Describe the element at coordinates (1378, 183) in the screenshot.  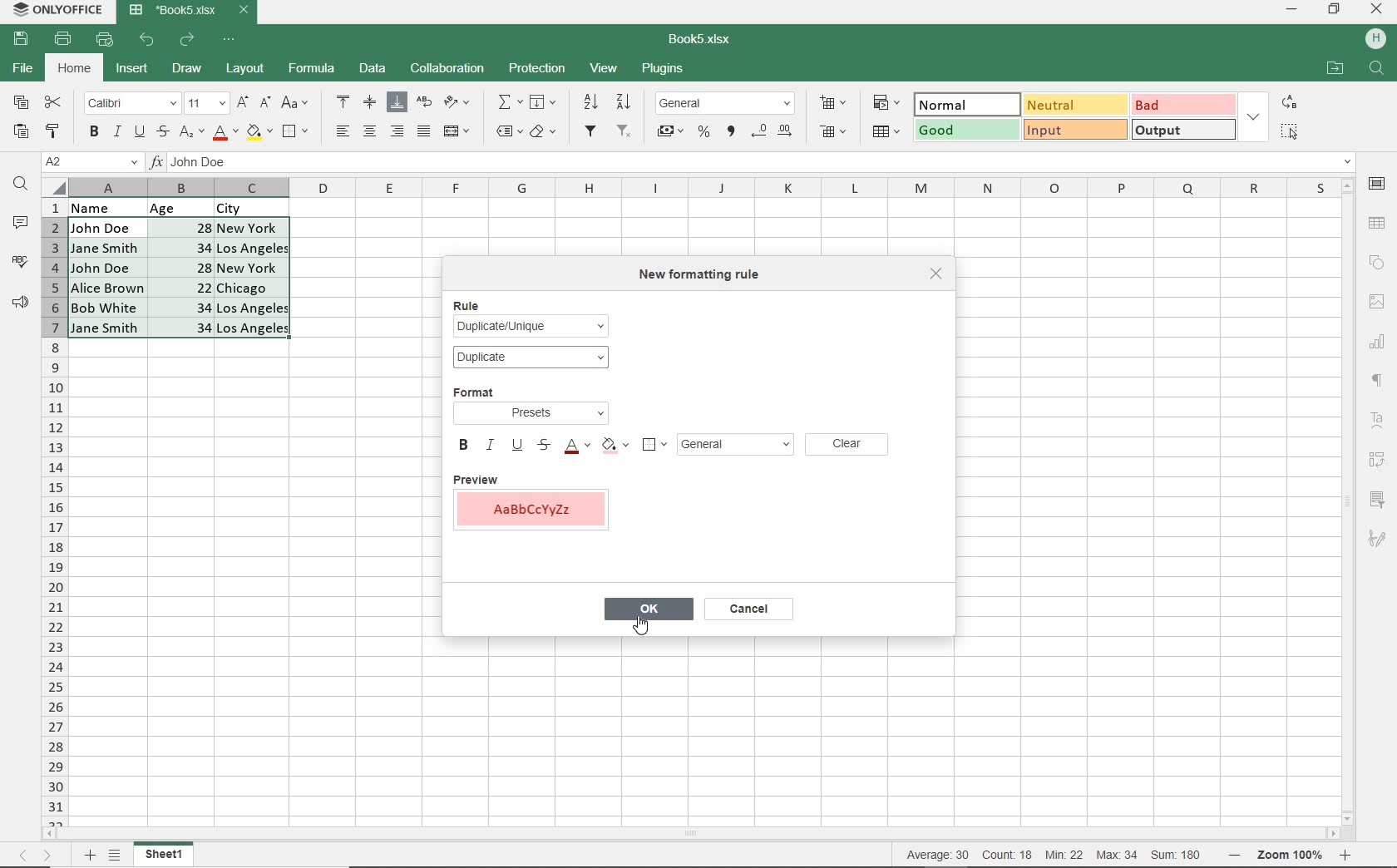
I see `CELL SETTINGS` at that location.